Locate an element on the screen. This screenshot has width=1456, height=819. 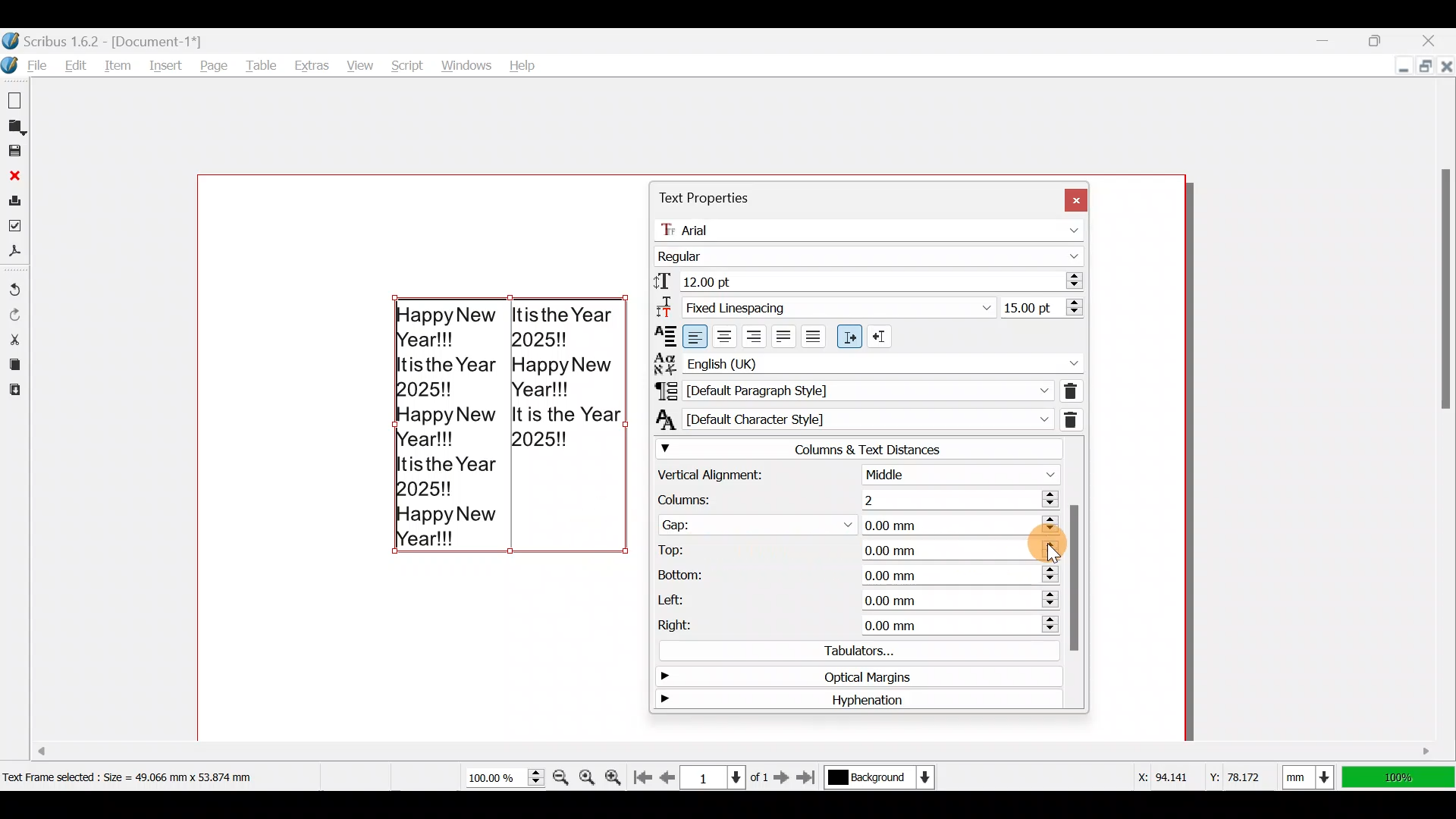
Close is located at coordinates (1436, 36).